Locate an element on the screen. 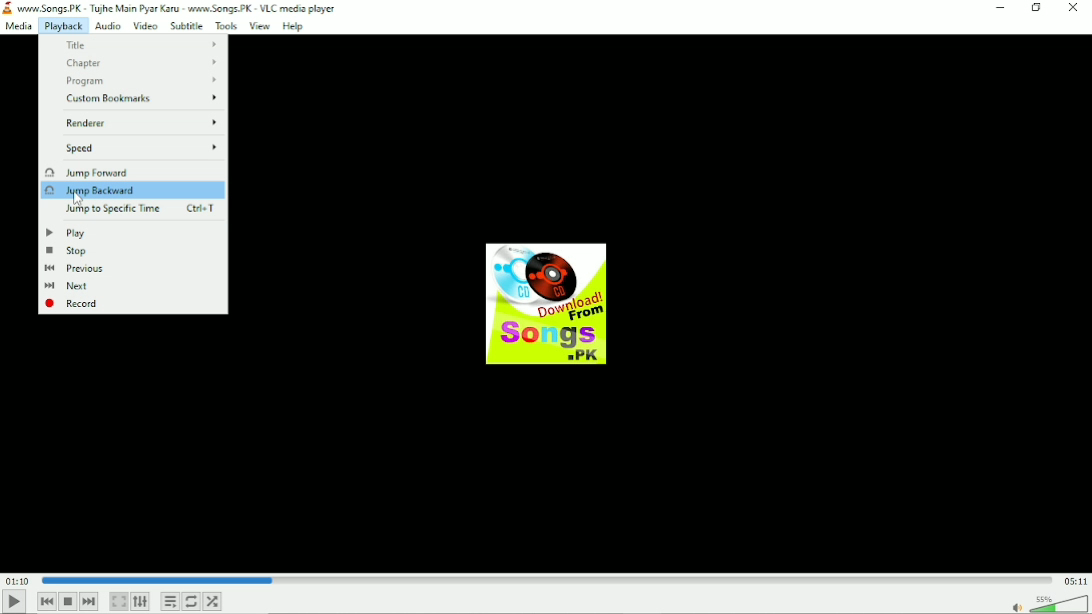  Custom bookmarks is located at coordinates (144, 100).